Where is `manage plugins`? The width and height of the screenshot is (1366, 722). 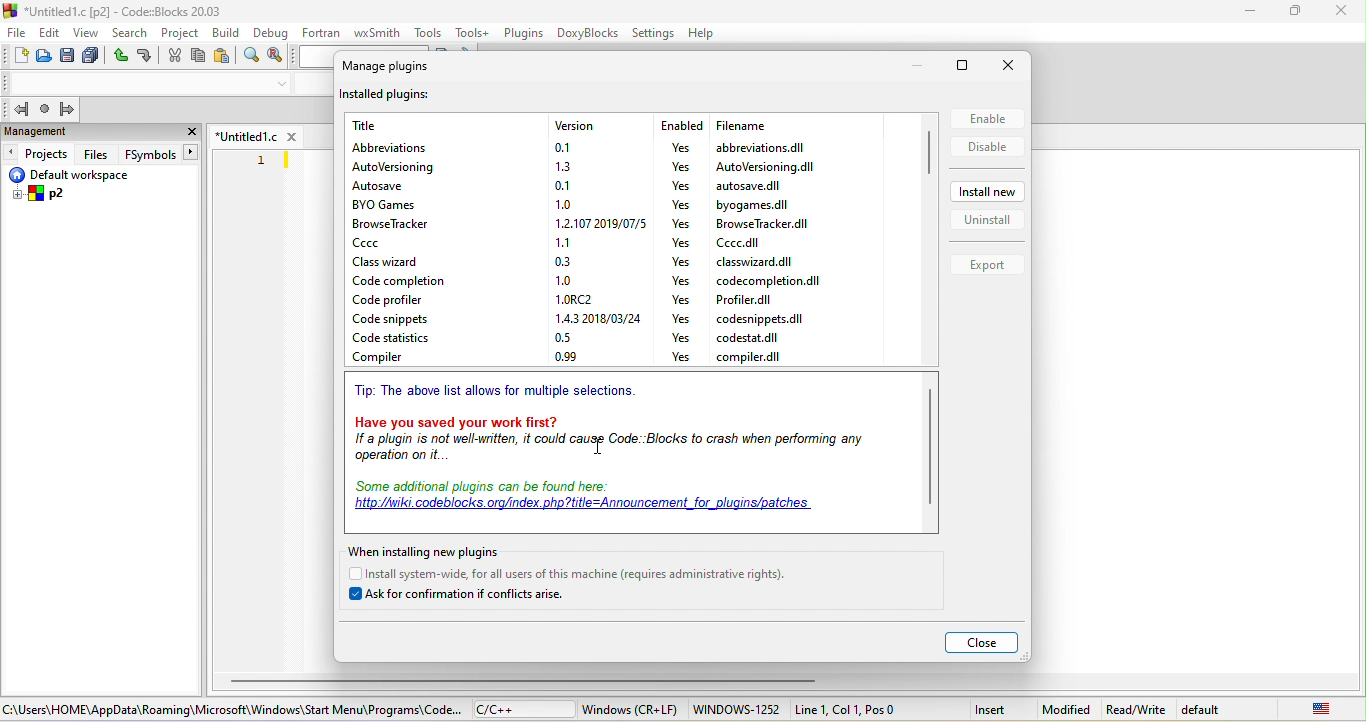 manage plugins is located at coordinates (400, 69).